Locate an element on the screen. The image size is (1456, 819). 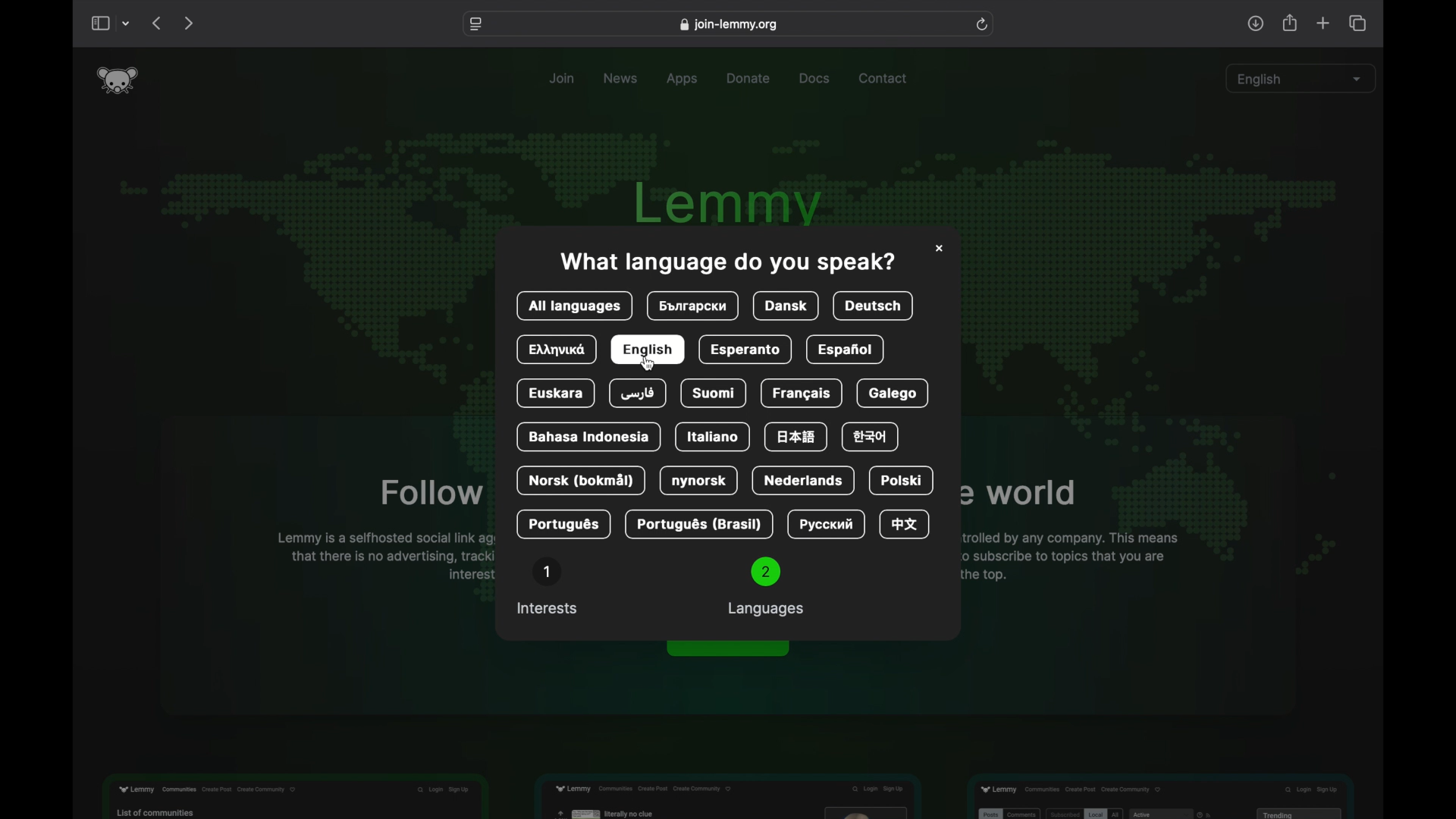
feature preview is located at coordinates (725, 797).